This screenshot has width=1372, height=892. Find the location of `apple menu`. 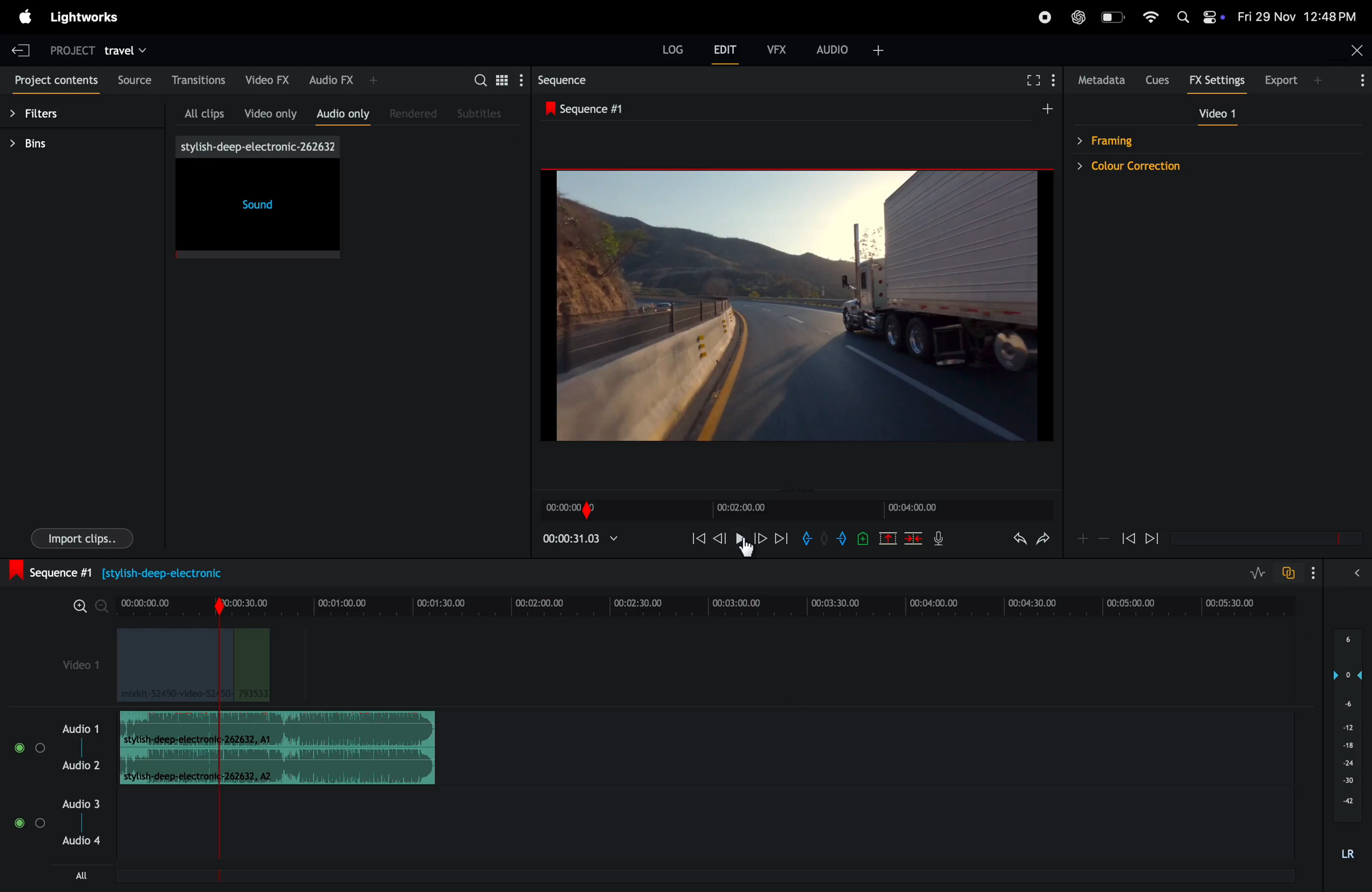

apple menu is located at coordinates (22, 17).